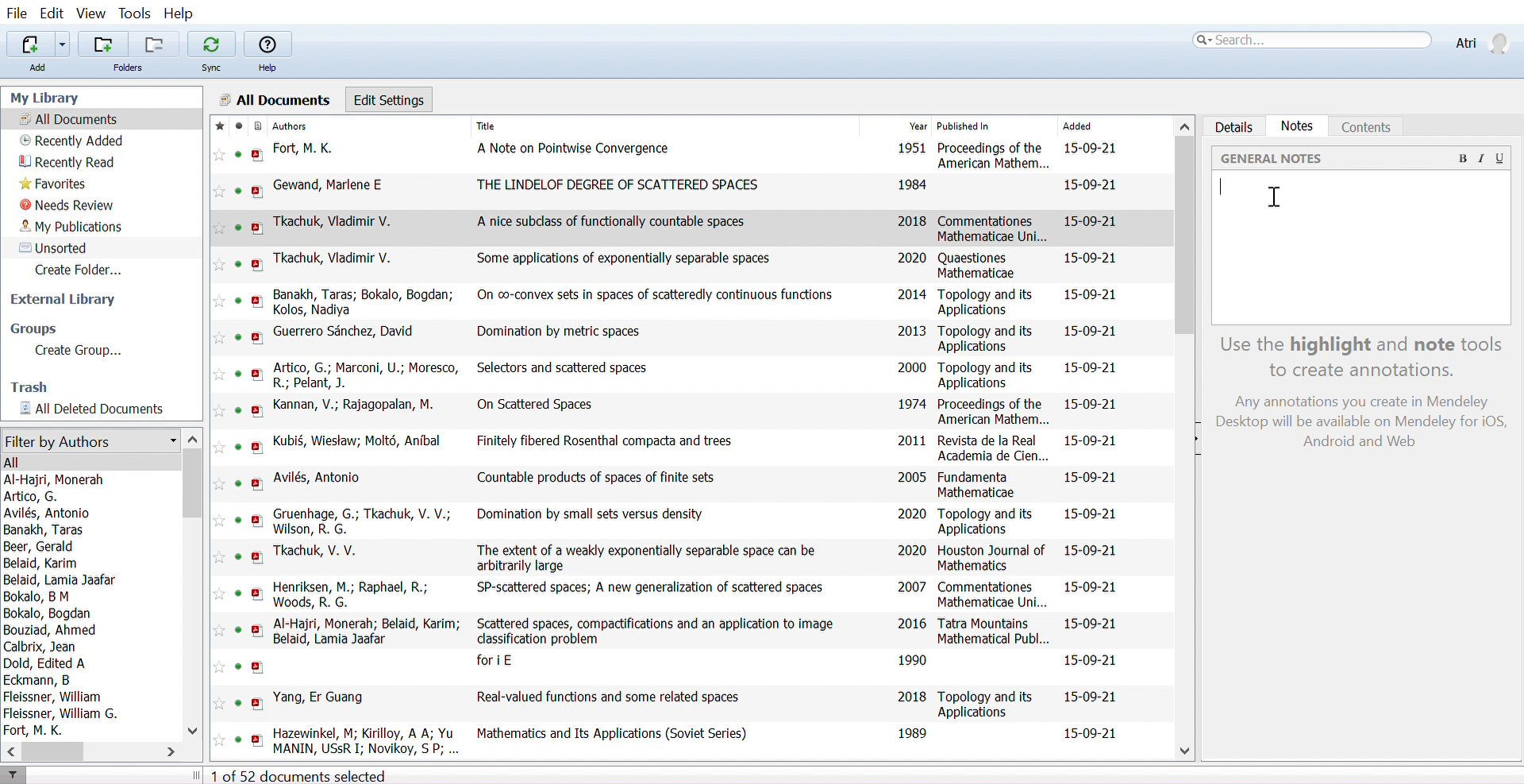 Image resolution: width=1524 pixels, height=784 pixels. Describe the element at coordinates (918, 126) in the screenshot. I see `Year` at that location.